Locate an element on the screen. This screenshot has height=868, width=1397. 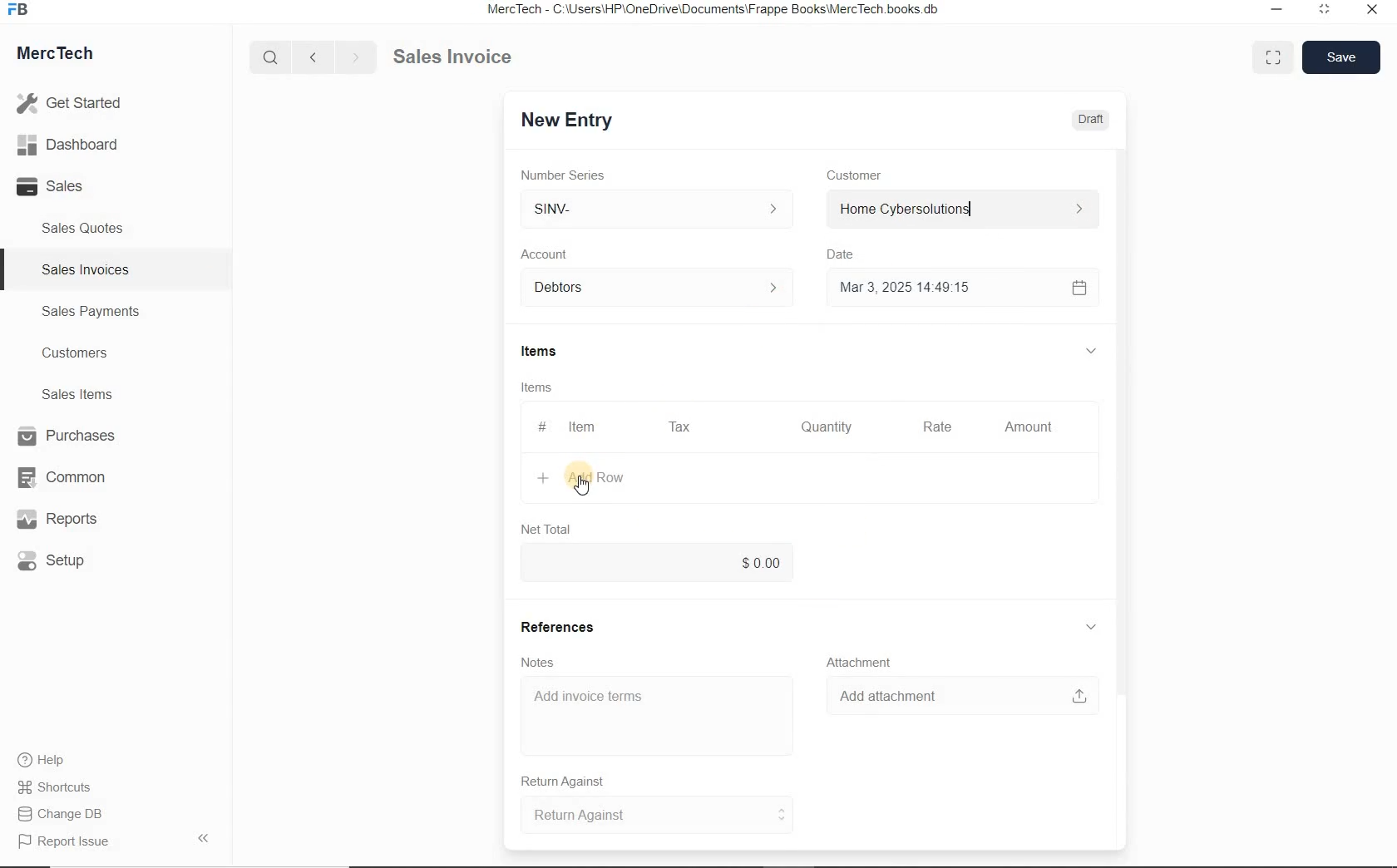
Maximum is located at coordinates (1325, 12).